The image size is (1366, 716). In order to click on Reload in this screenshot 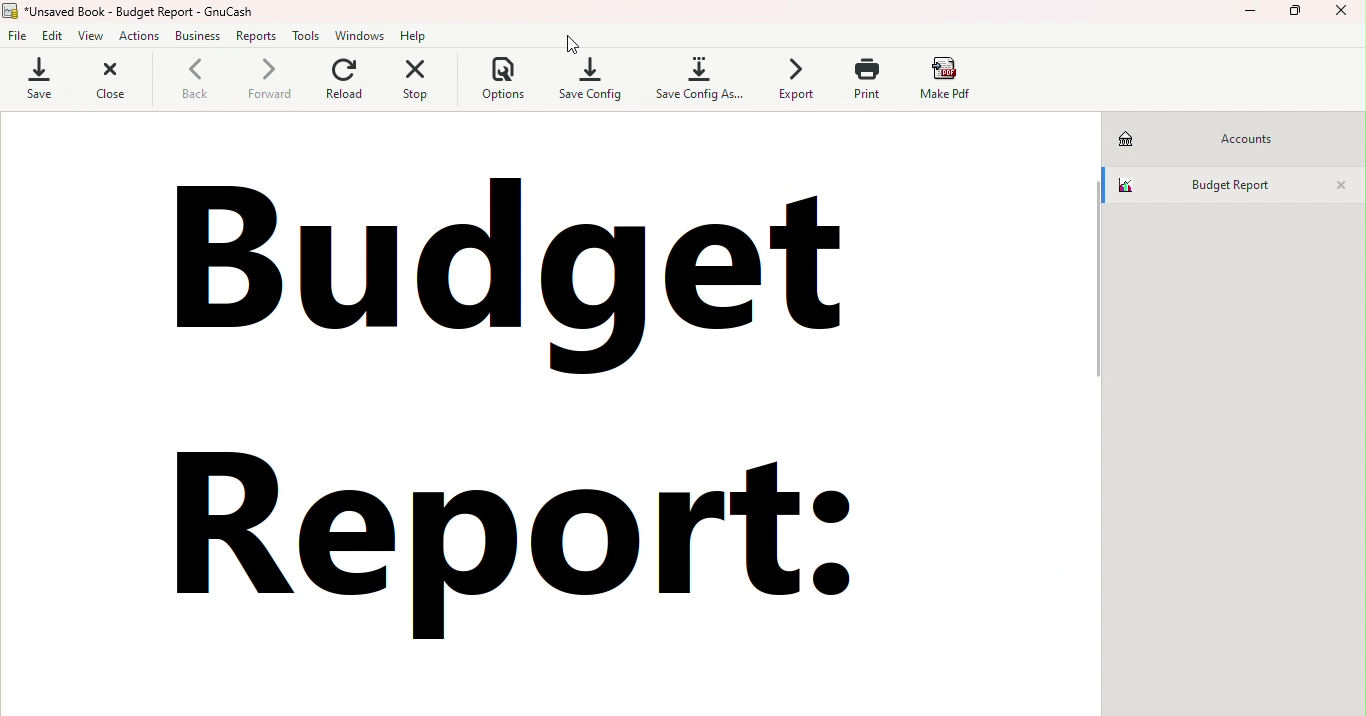, I will do `click(352, 87)`.